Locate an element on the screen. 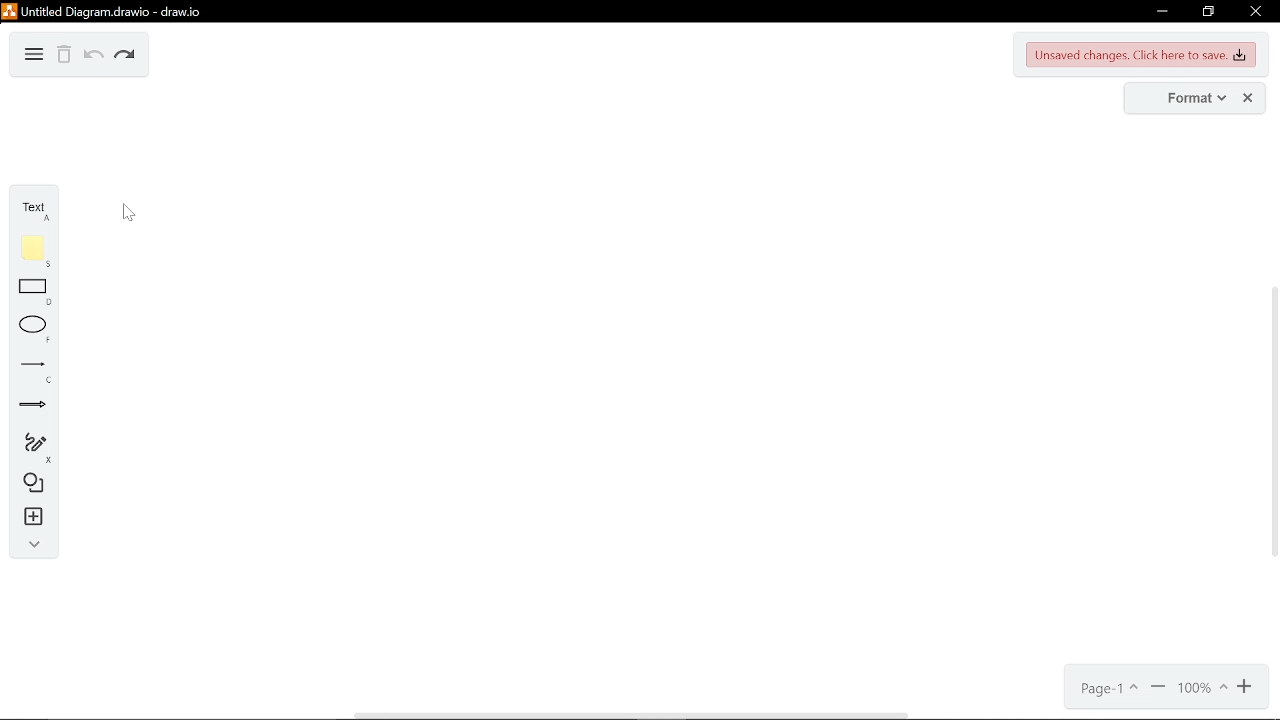 This screenshot has width=1280, height=720. lines is located at coordinates (37, 372).